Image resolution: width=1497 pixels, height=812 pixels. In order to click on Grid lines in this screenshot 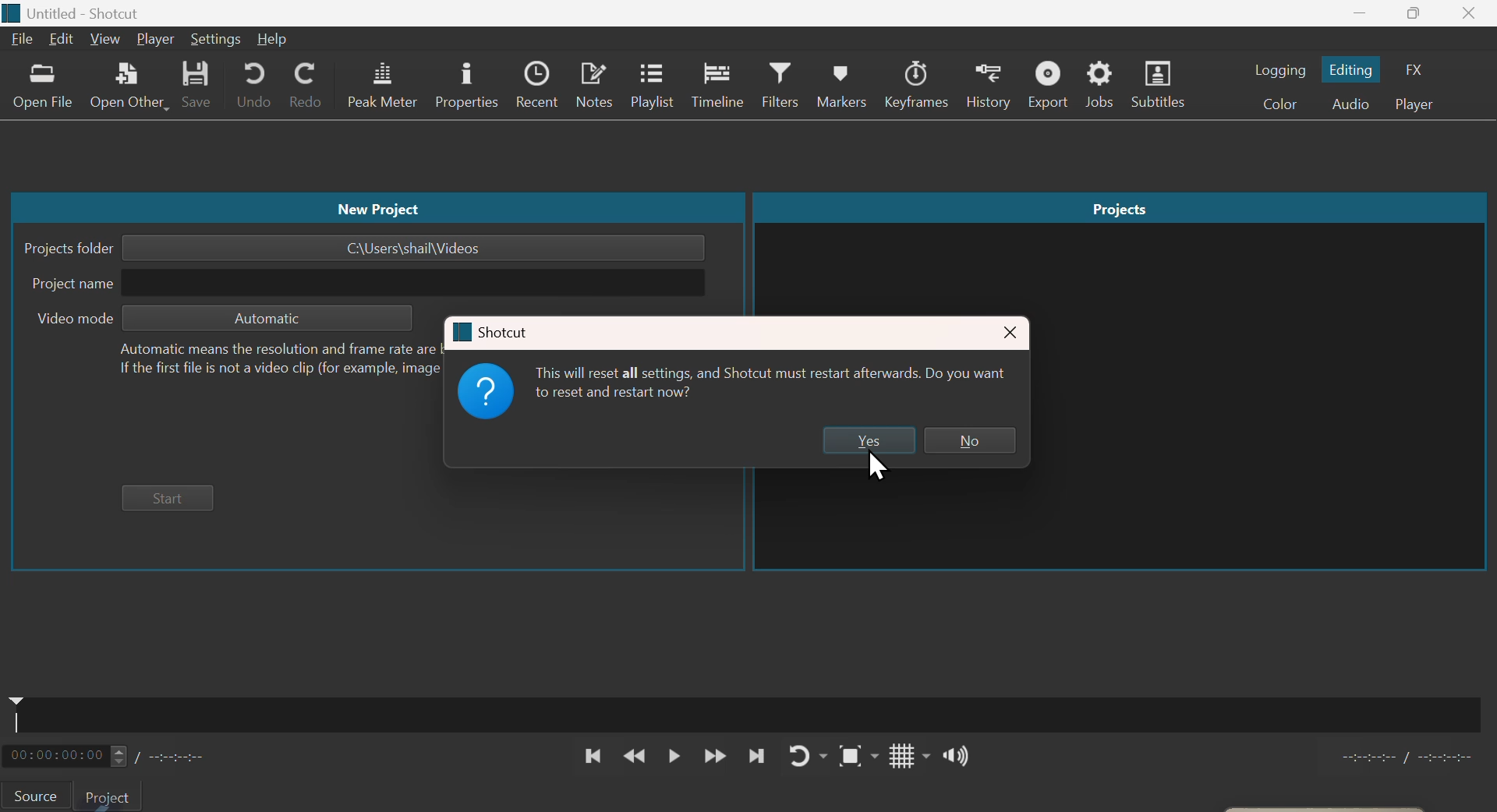, I will do `click(894, 757)`.